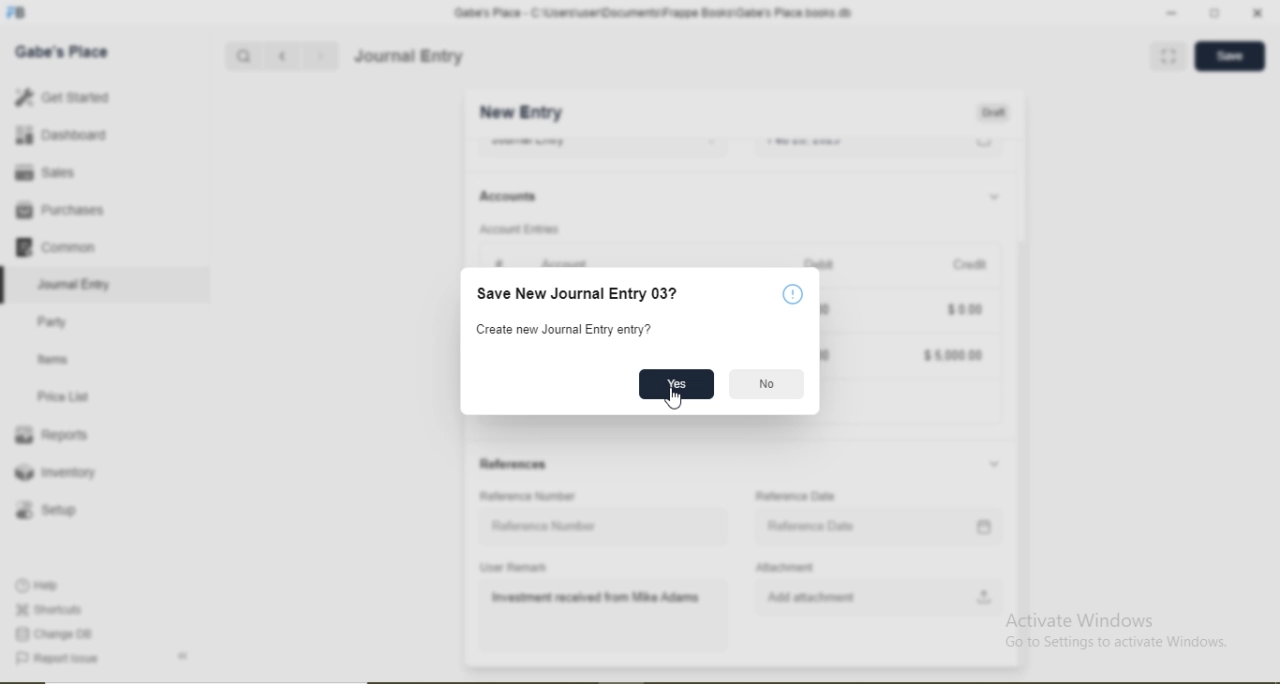 This screenshot has height=684, width=1280. What do you see at coordinates (784, 567) in the screenshot?
I see `Attachment` at bounding box center [784, 567].